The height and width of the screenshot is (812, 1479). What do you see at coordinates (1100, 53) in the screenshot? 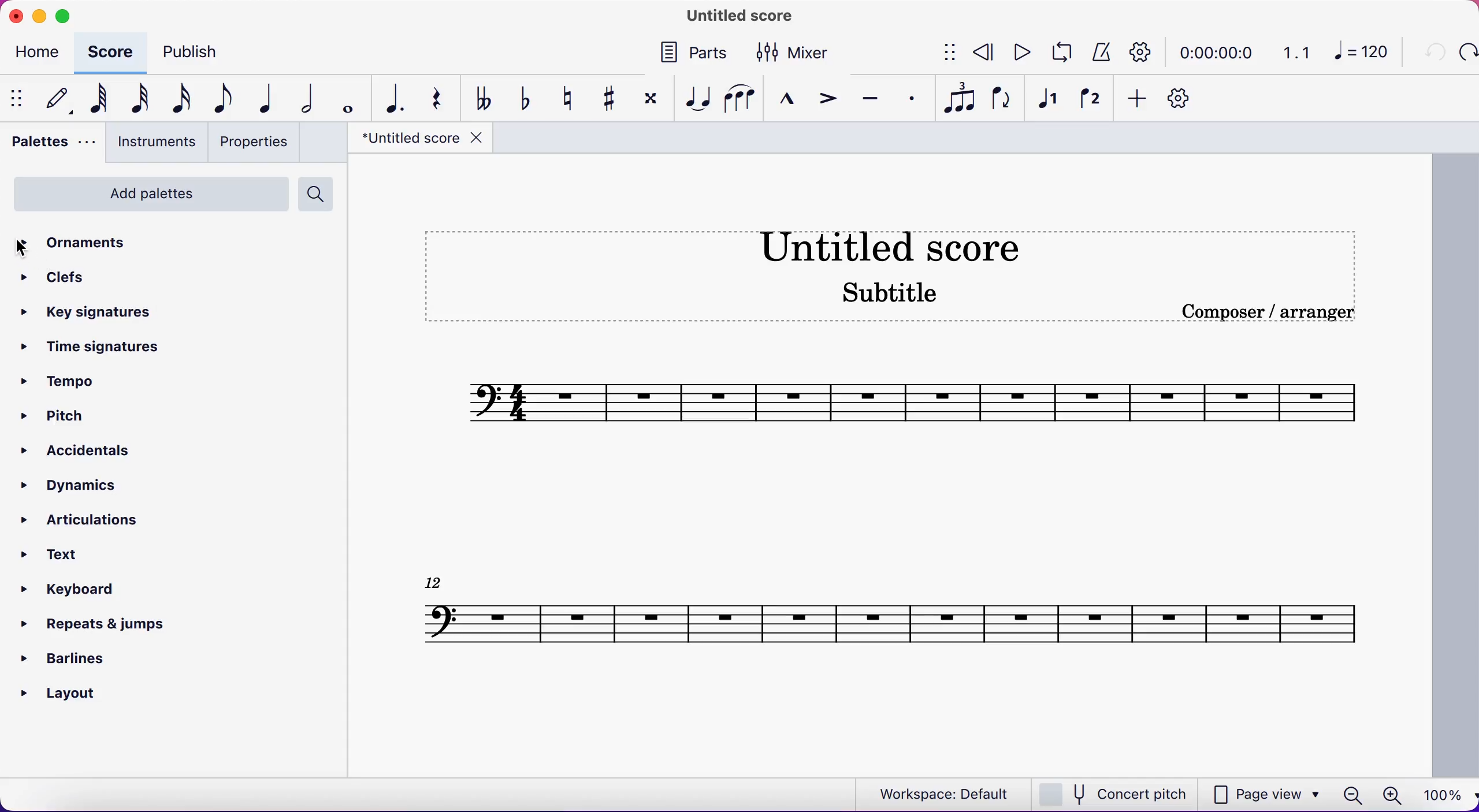
I see `metronome` at bounding box center [1100, 53].